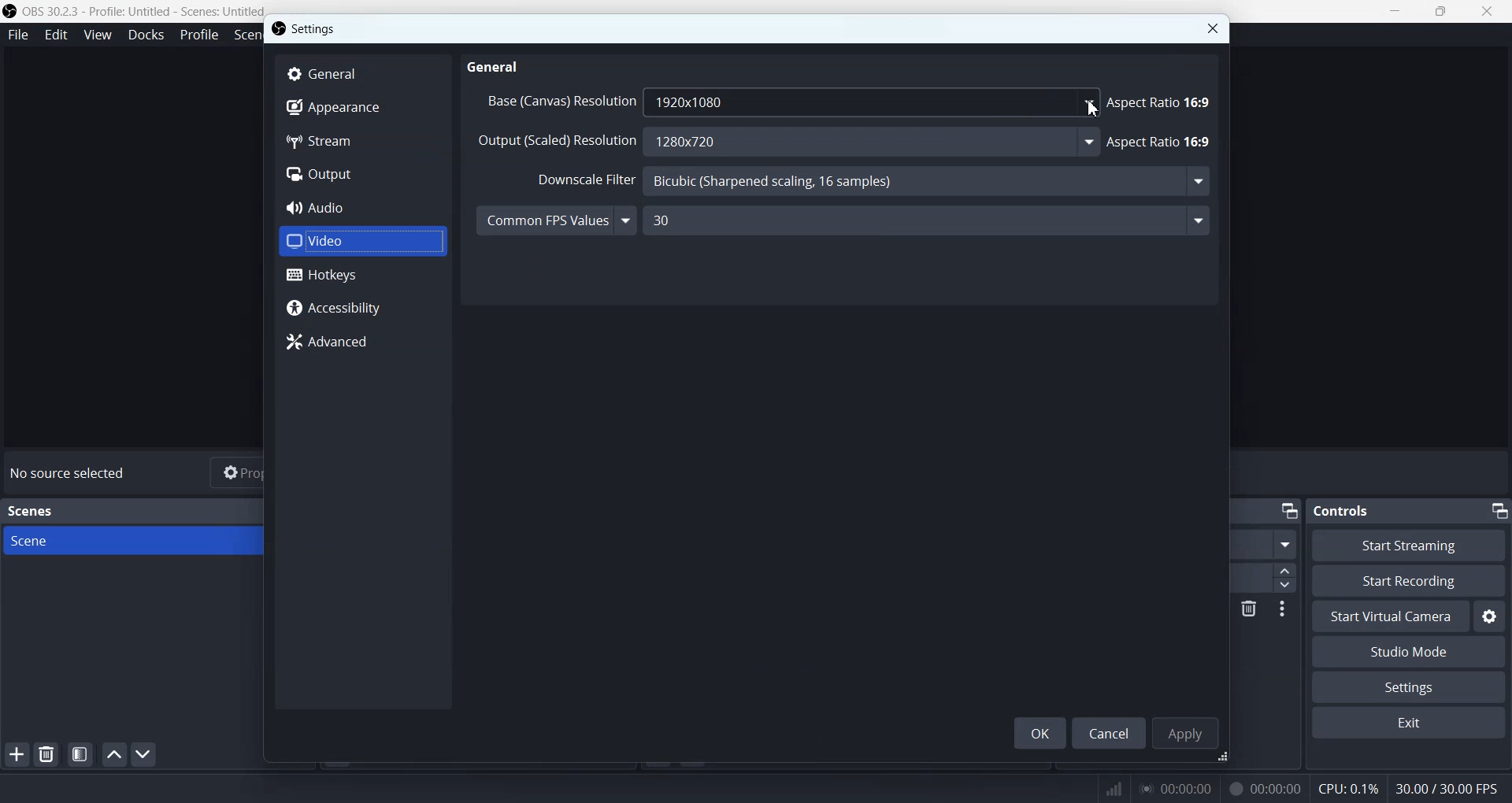 This screenshot has height=803, width=1512. What do you see at coordinates (843, 223) in the screenshot?
I see `Common FPS Values 30` at bounding box center [843, 223].